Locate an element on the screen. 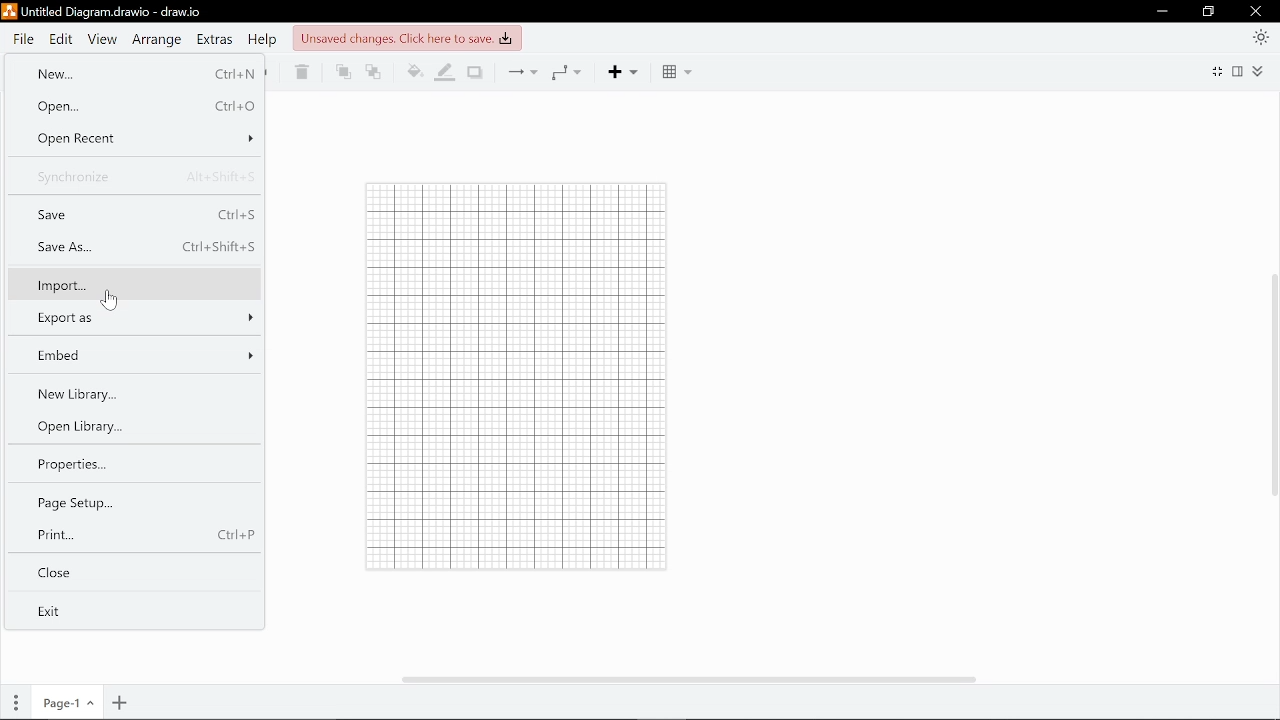  Fill color is located at coordinates (411, 73).